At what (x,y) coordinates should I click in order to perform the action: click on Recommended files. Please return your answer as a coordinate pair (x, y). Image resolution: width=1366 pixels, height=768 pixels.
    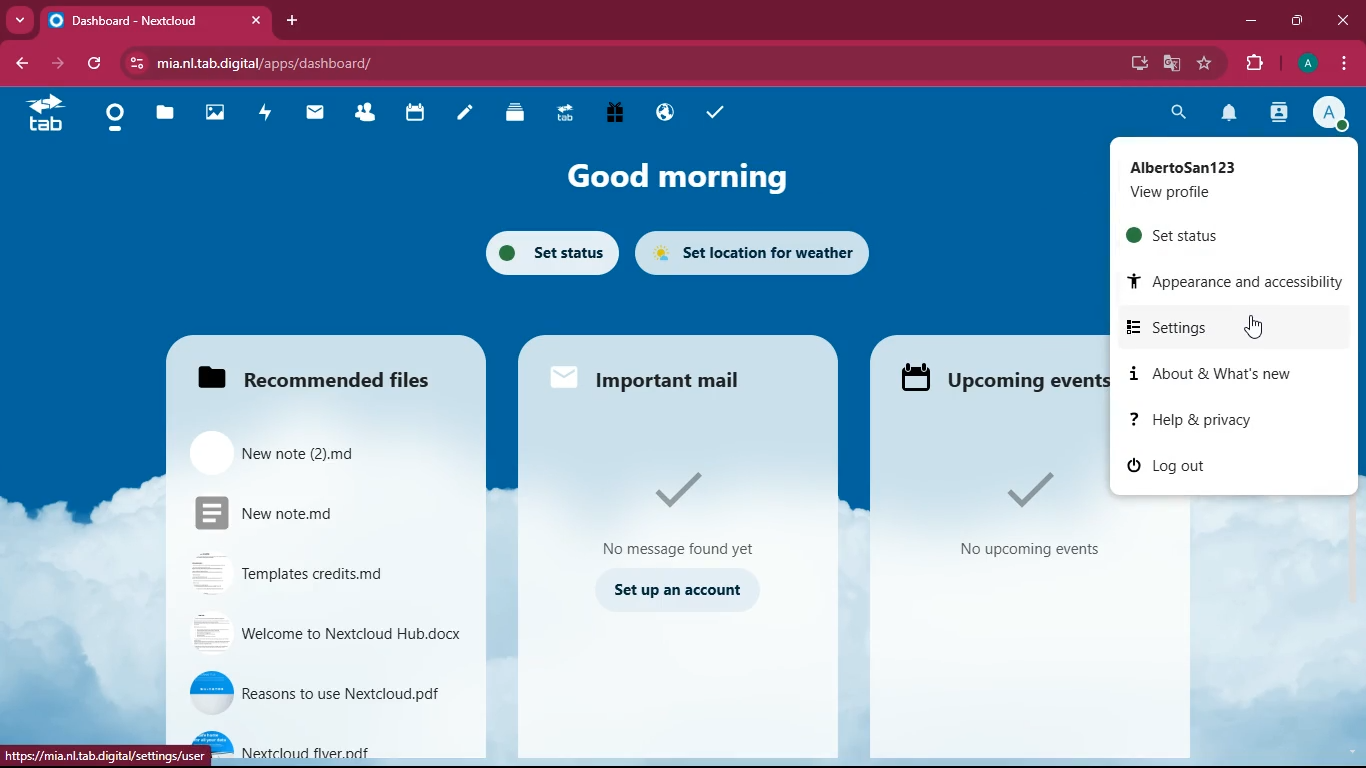
    Looking at the image, I should click on (316, 382).